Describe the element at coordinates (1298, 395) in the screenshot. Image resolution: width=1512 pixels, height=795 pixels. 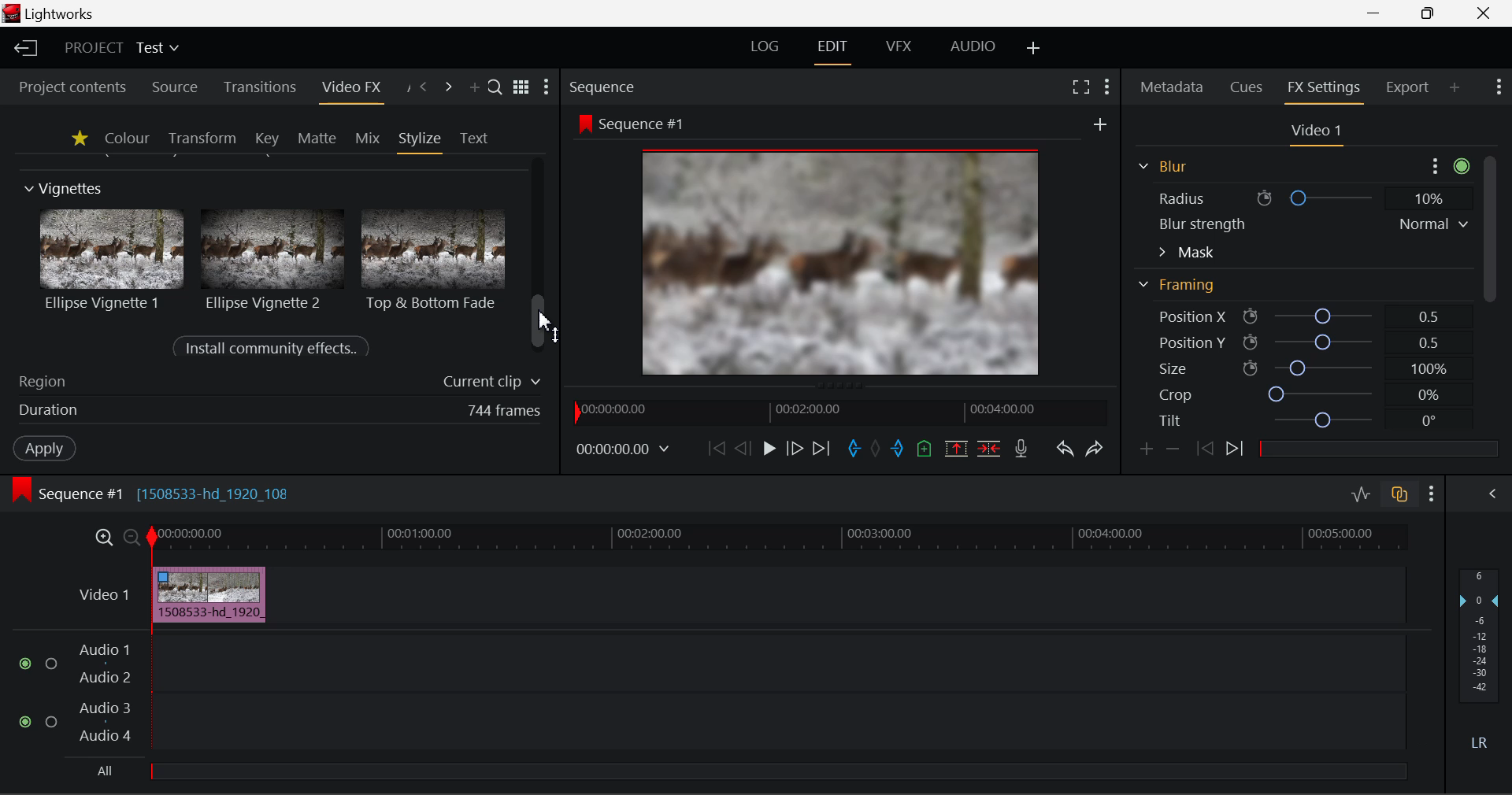
I see `Crop` at that location.